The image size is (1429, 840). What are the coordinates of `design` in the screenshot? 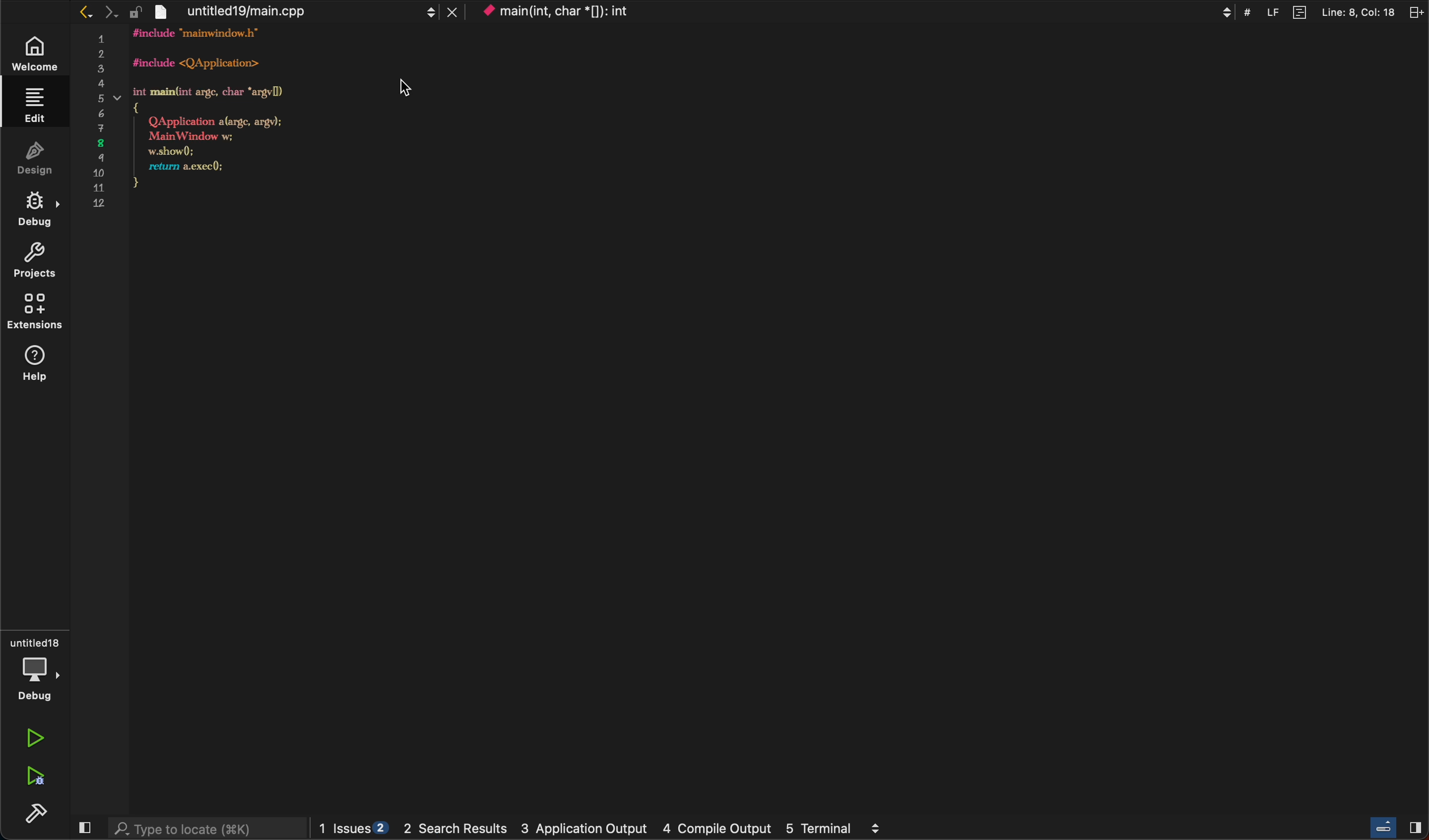 It's located at (32, 160).